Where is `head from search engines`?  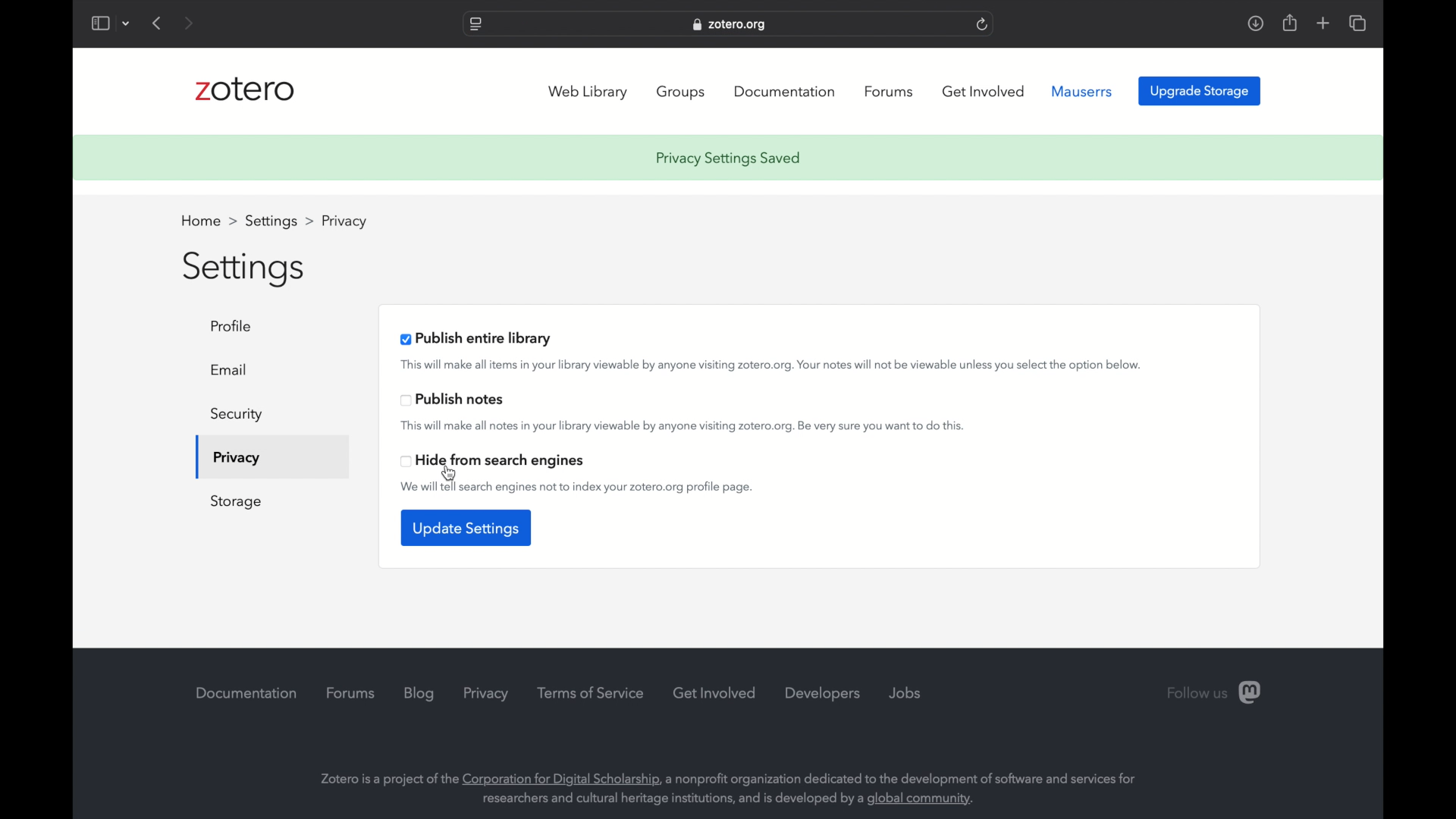
head from search engines is located at coordinates (490, 460).